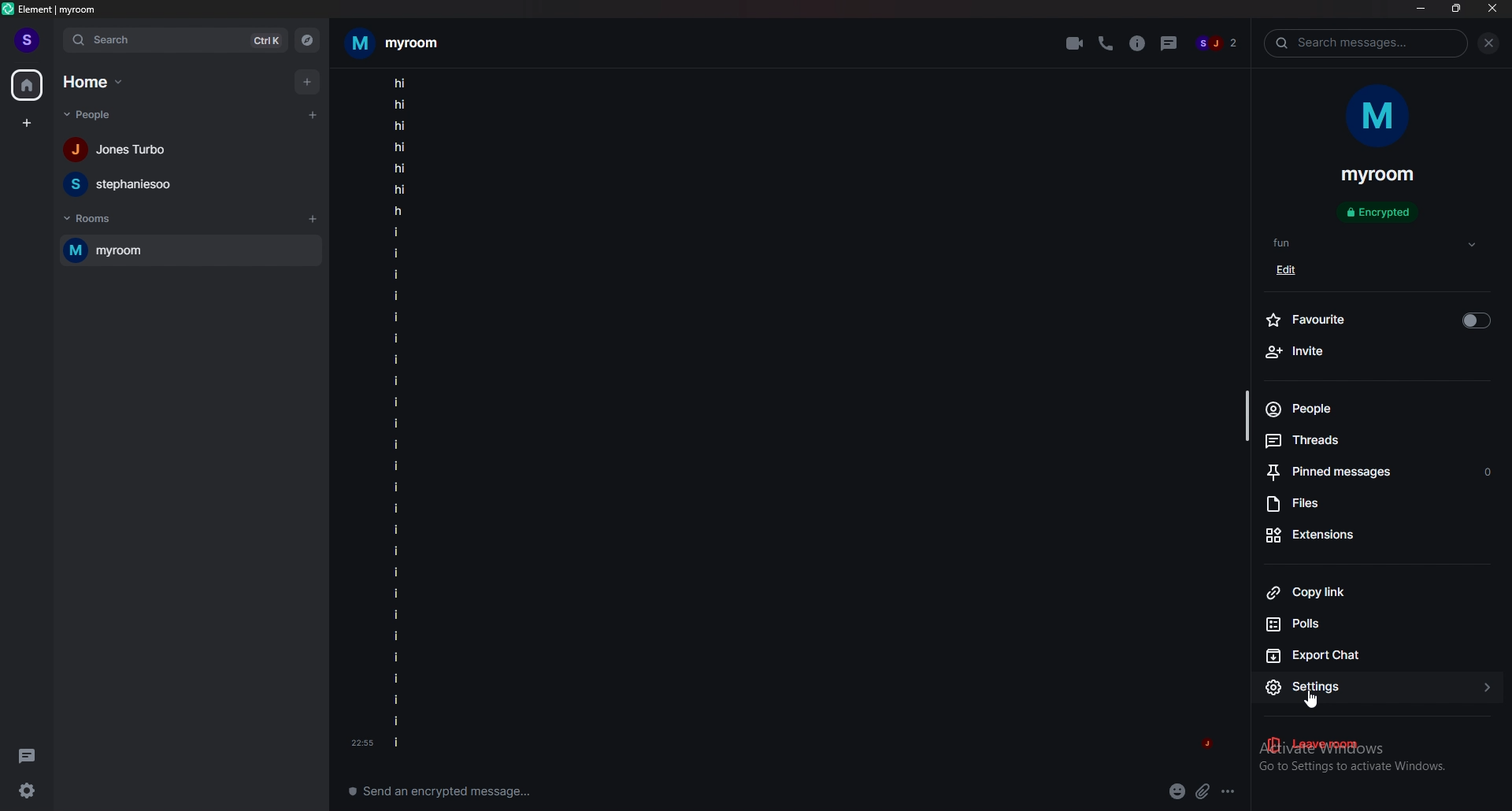 The height and width of the screenshot is (811, 1512). I want to click on room photo, so click(1380, 117).